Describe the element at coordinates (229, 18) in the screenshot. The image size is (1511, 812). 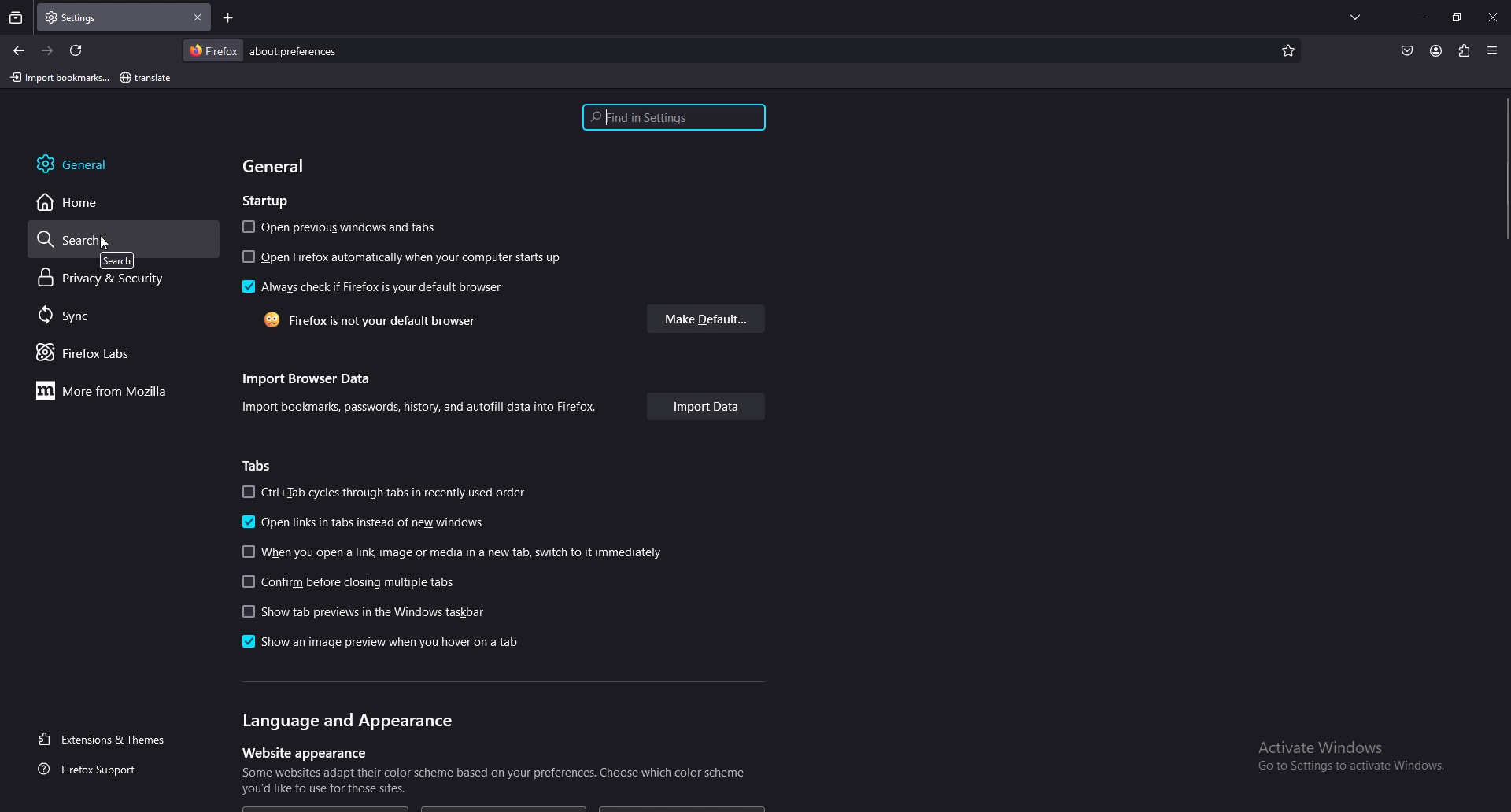
I see `add tab` at that location.